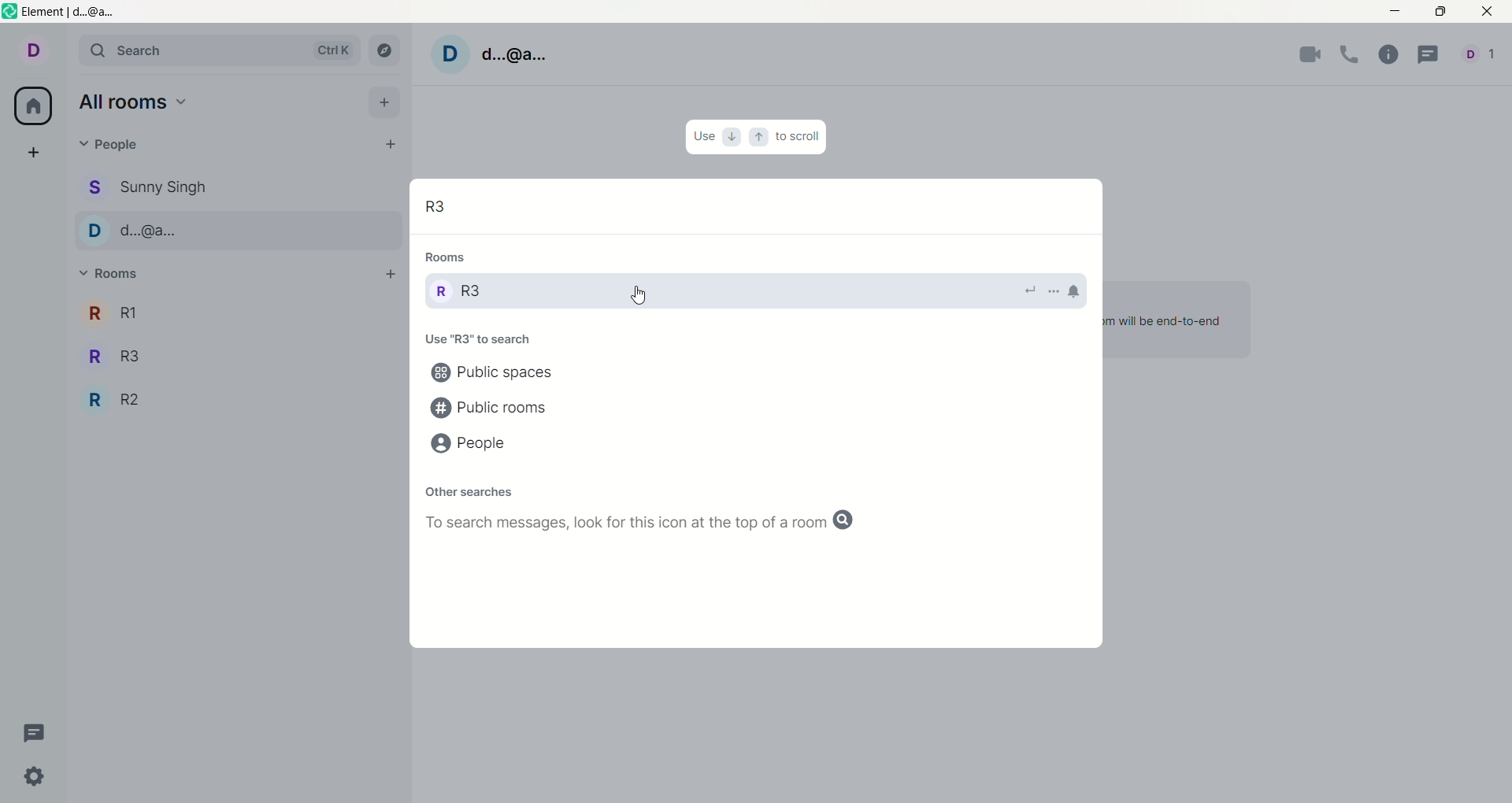 Image resolution: width=1512 pixels, height=803 pixels. Describe the element at coordinates (37, 154) in the screenshot. I see `add` at that location.